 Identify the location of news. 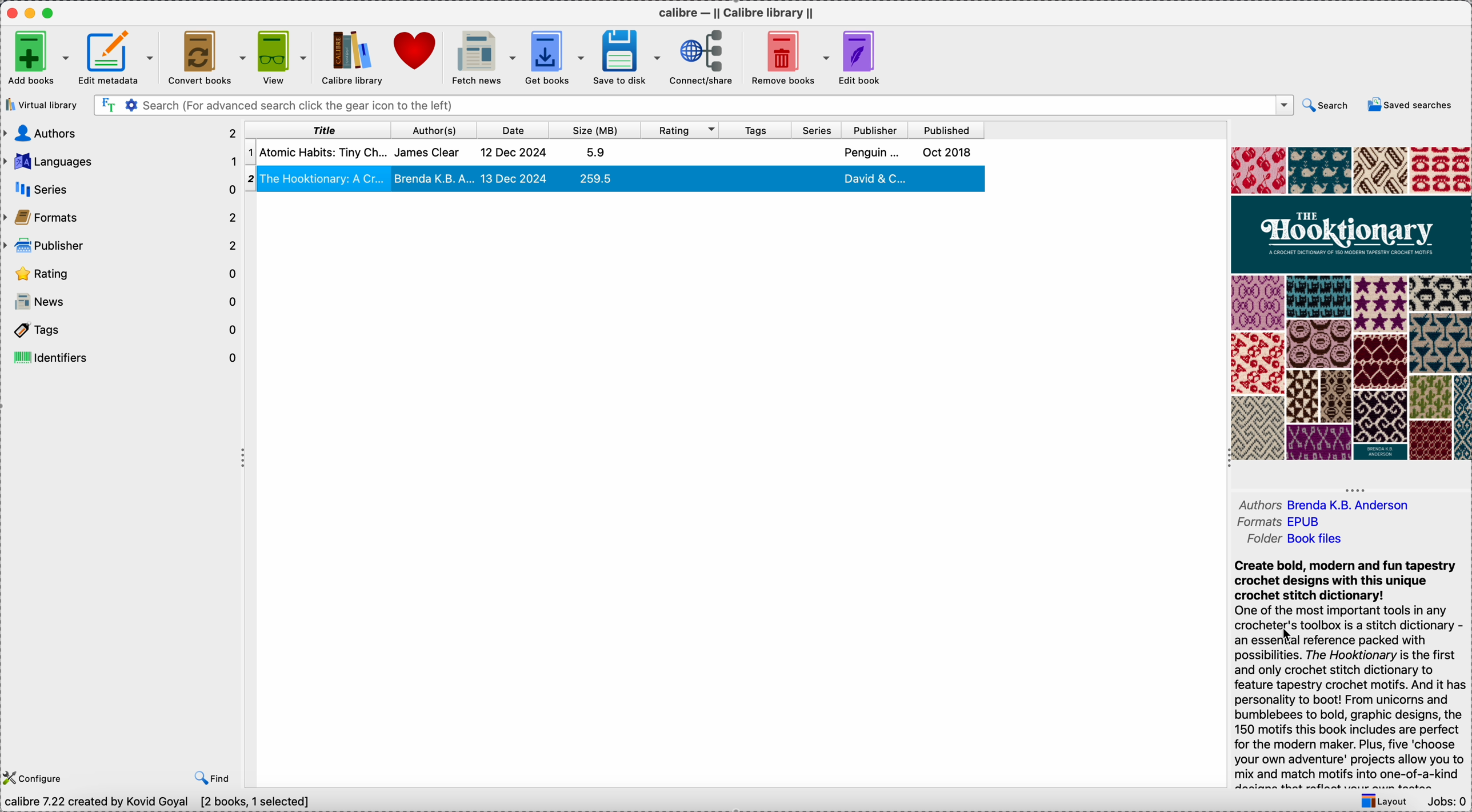
(124, 303).